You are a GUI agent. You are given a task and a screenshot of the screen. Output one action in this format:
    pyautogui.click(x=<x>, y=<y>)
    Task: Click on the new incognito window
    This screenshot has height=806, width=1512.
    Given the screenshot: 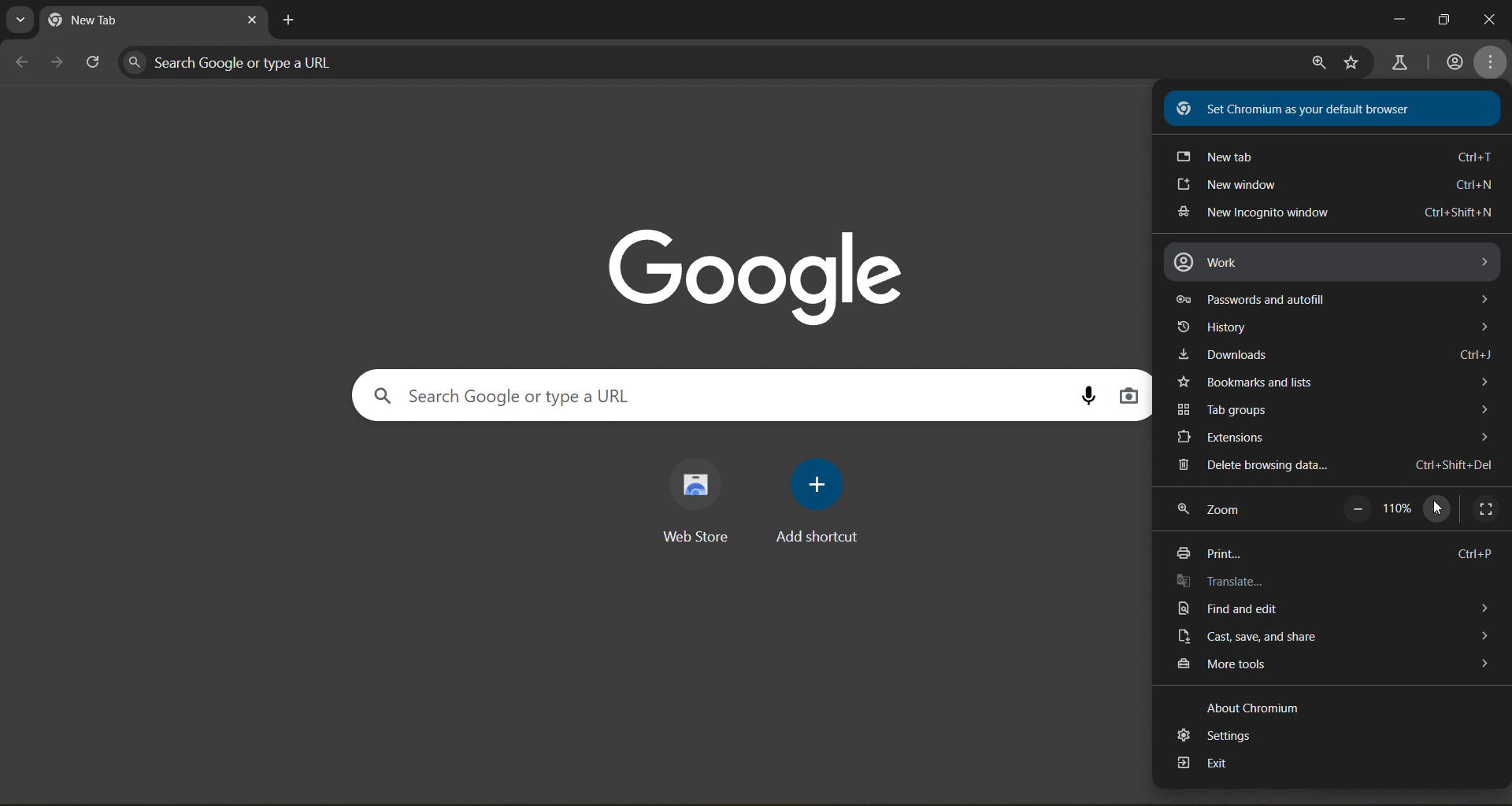 What is the action you would take?
    pyautogui.click(x=1336, y=213)
    